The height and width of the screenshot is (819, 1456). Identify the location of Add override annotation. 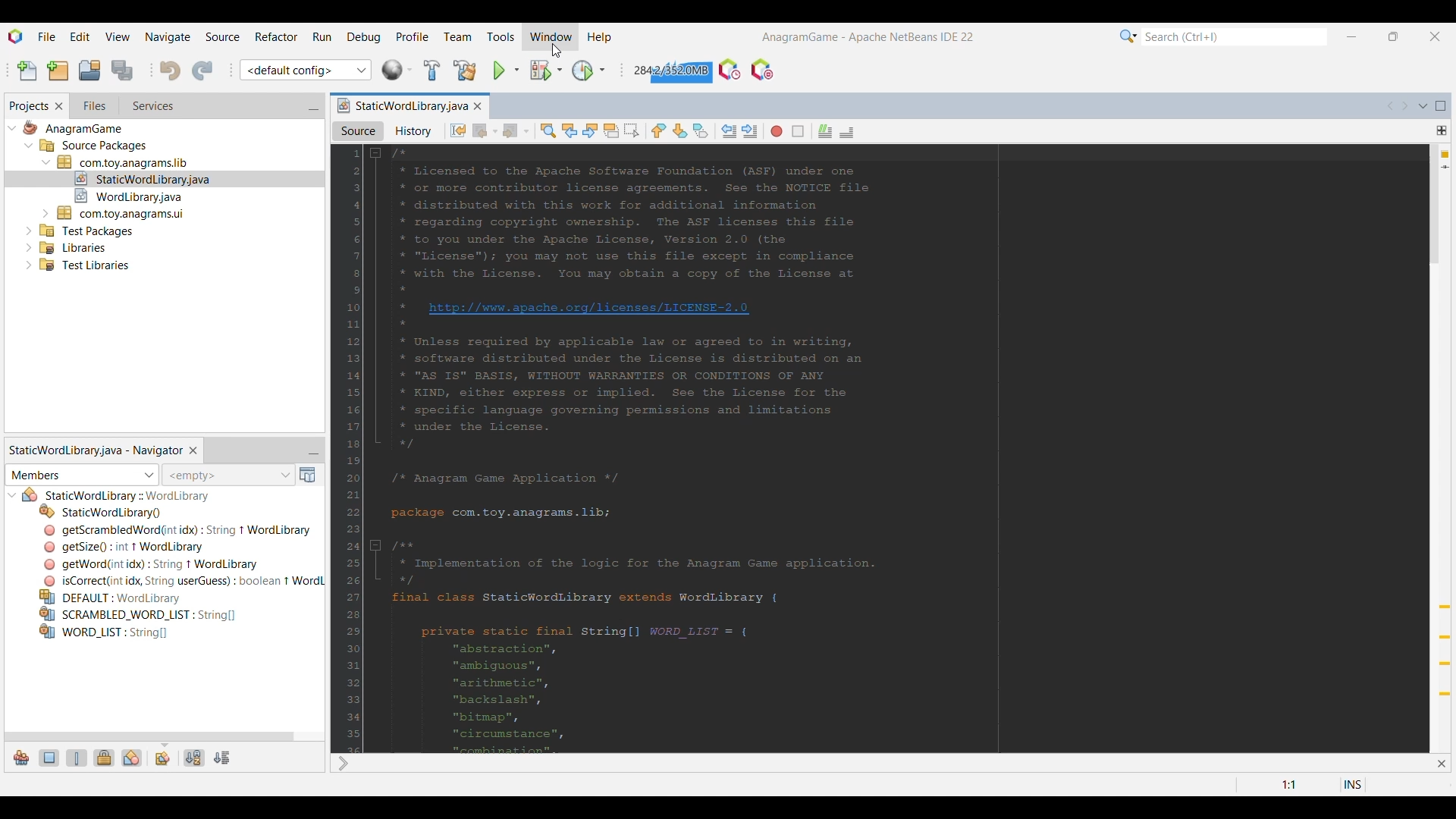
(1444, 651).